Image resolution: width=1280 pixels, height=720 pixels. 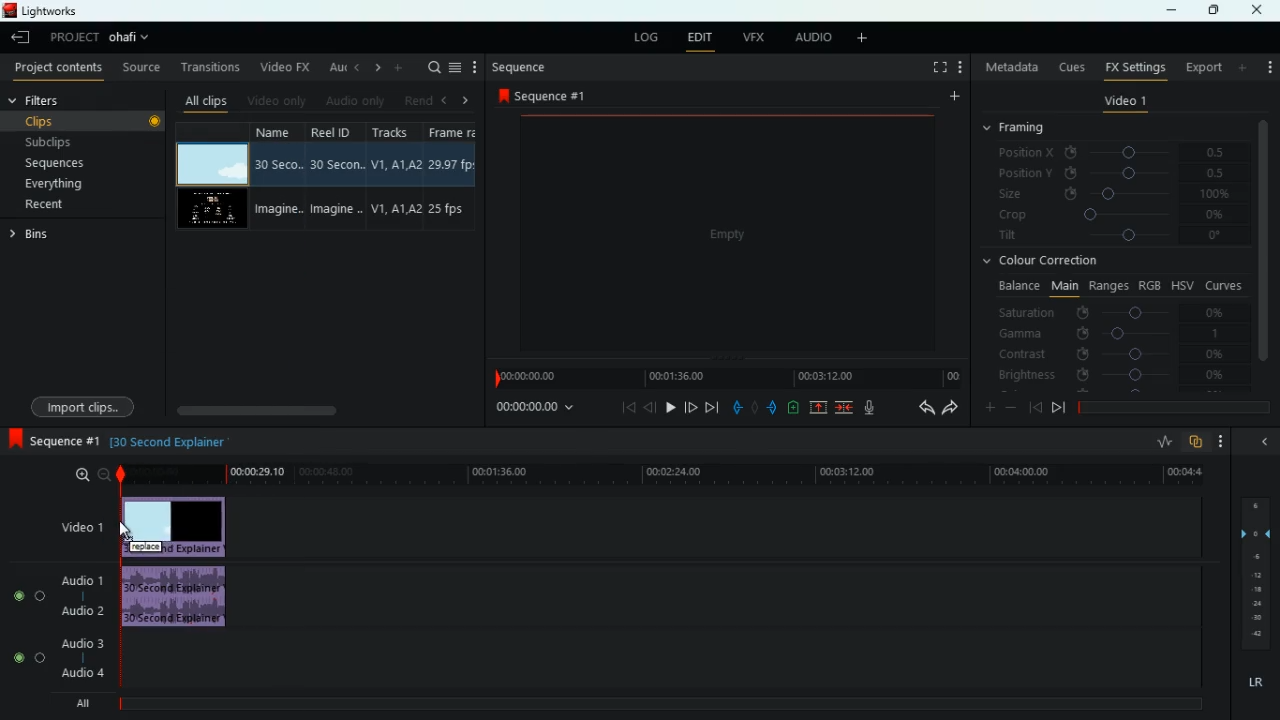 What do you see at coordinates (542, 95) in the screenshot?
I see `sequence` at bounding box center [542, 95].